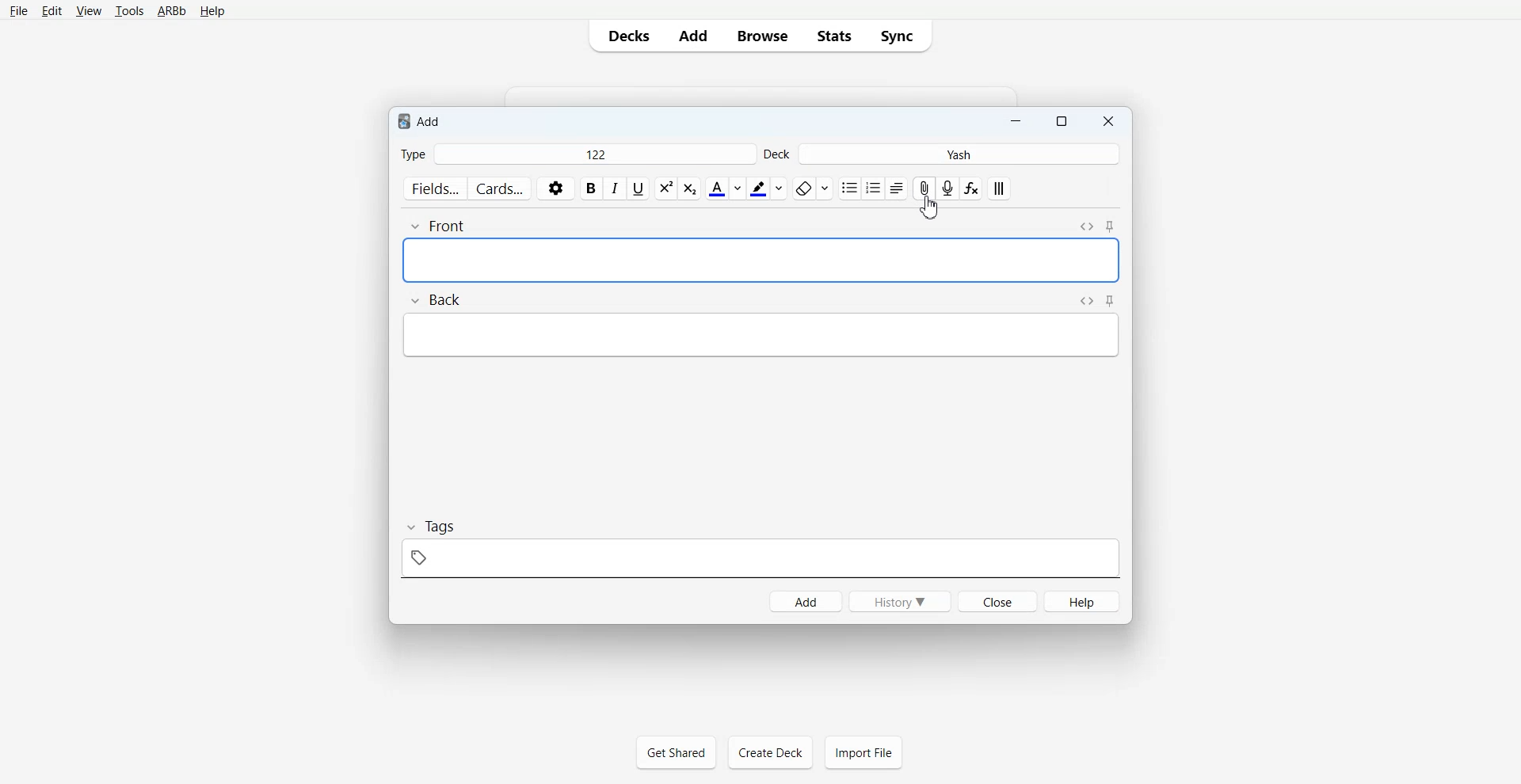  Describe the element at coordinates (999, 188) in the screenshot. I see `Apply custom style` at that location.